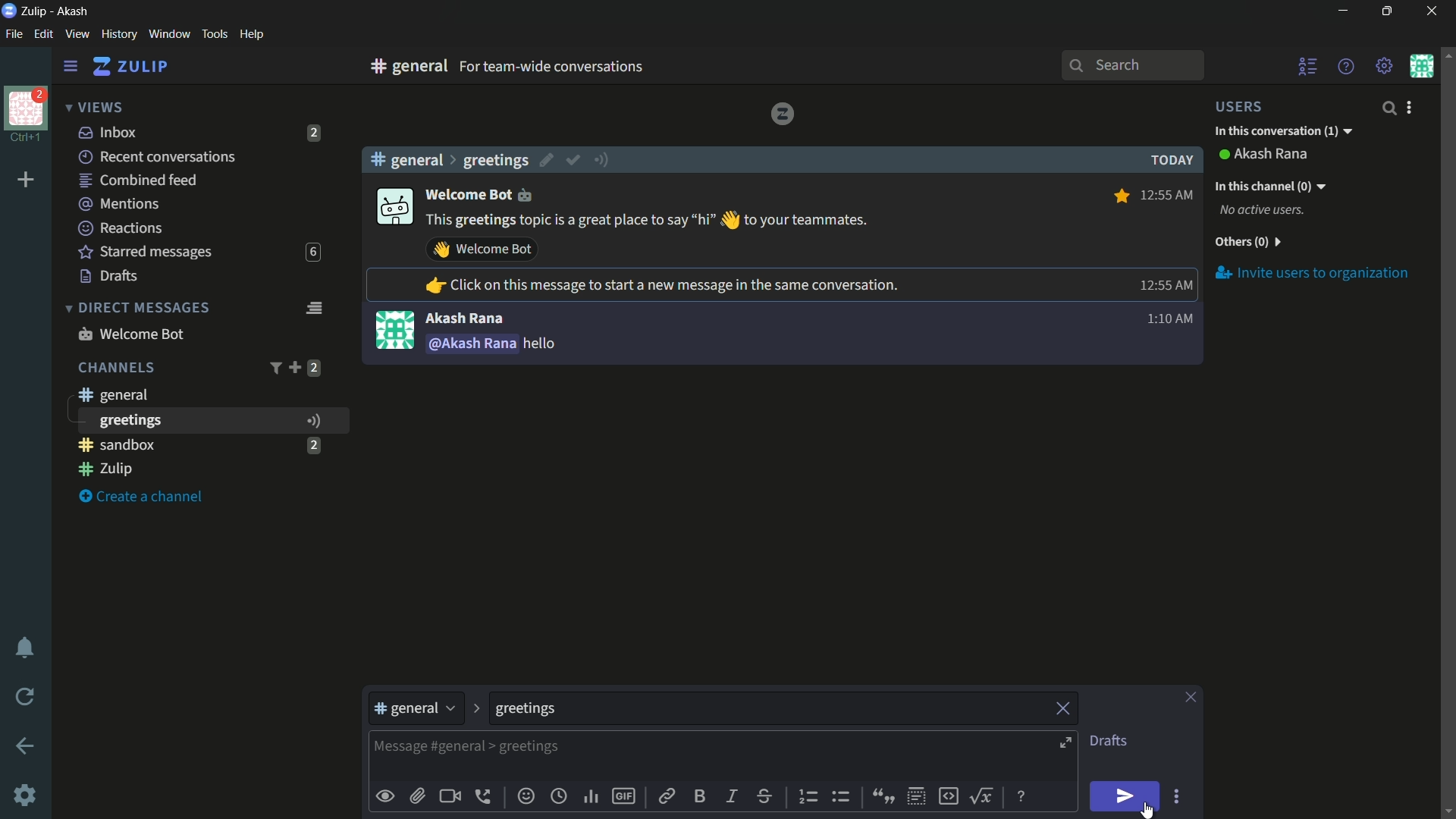  What do you see at coordinates (274, 368) in the screenshot?
I see `filter channels` at bounding box center [274, 368].